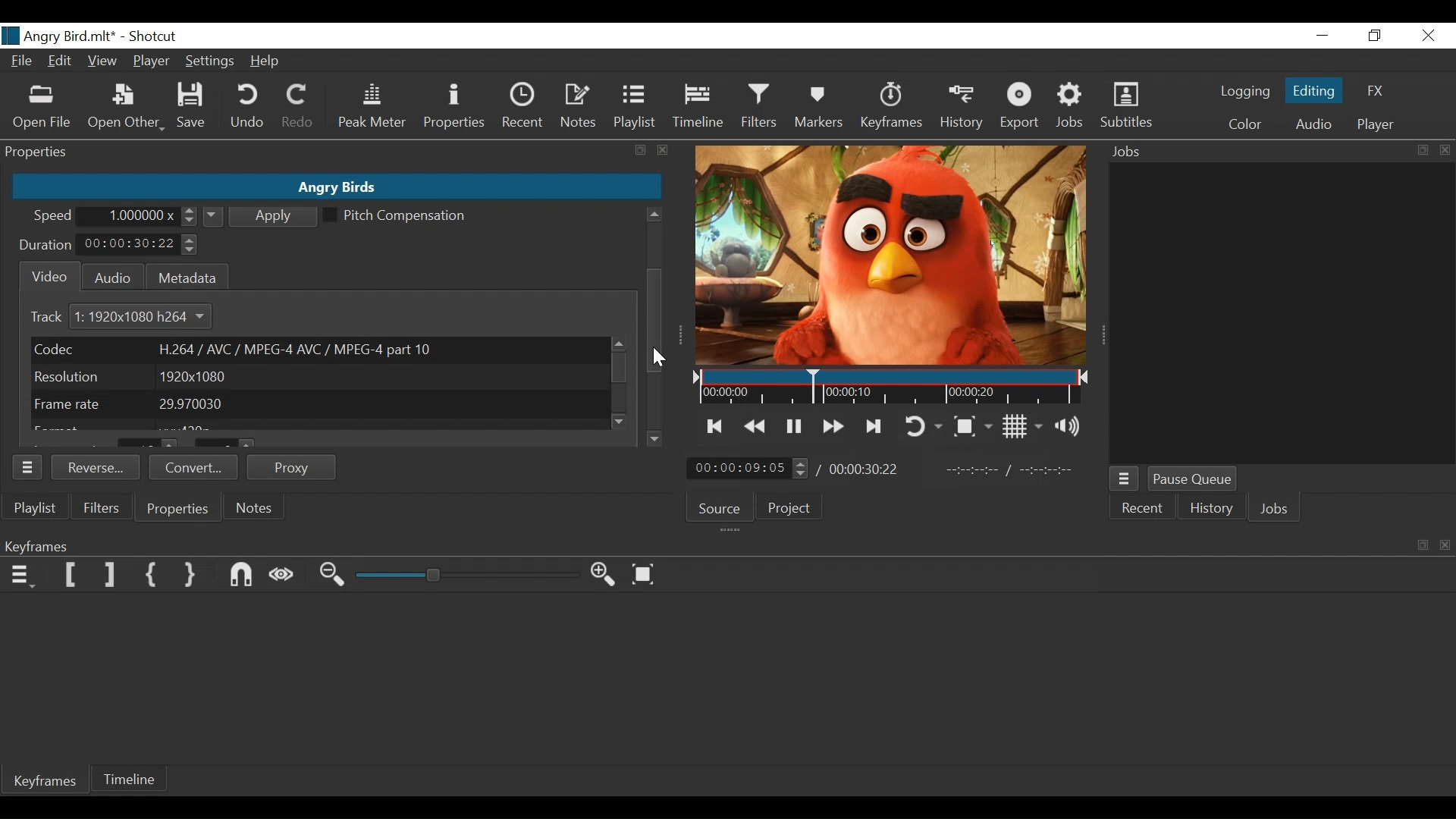 This screenshot has height=819, width=1456. Describe the element at coordinates (1144, 510) in the screenshot. I see `Recent` at that location.